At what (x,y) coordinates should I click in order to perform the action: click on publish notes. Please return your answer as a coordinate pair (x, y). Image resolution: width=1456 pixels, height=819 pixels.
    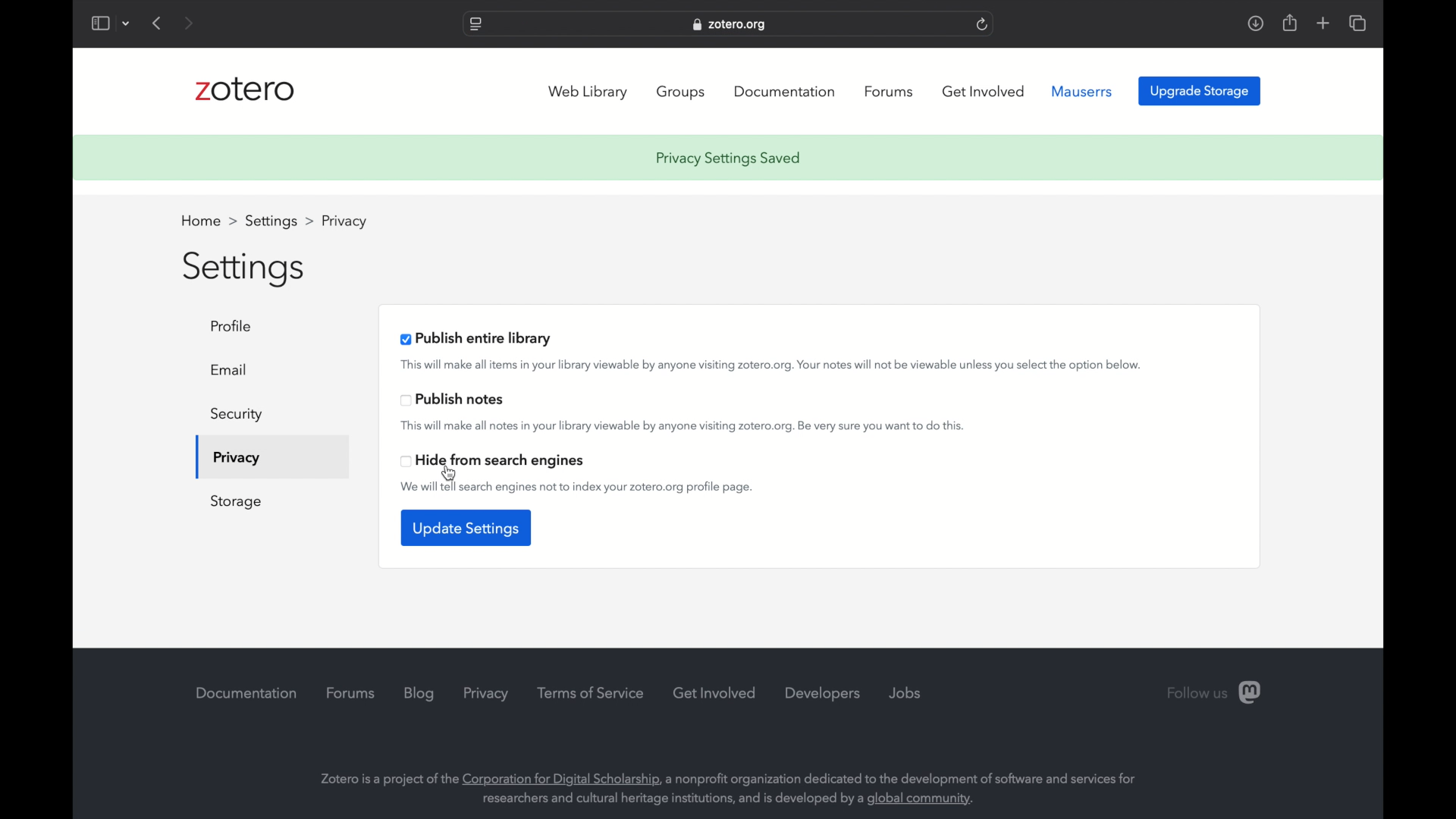
    Looking at the image, I should click on (451, 399).